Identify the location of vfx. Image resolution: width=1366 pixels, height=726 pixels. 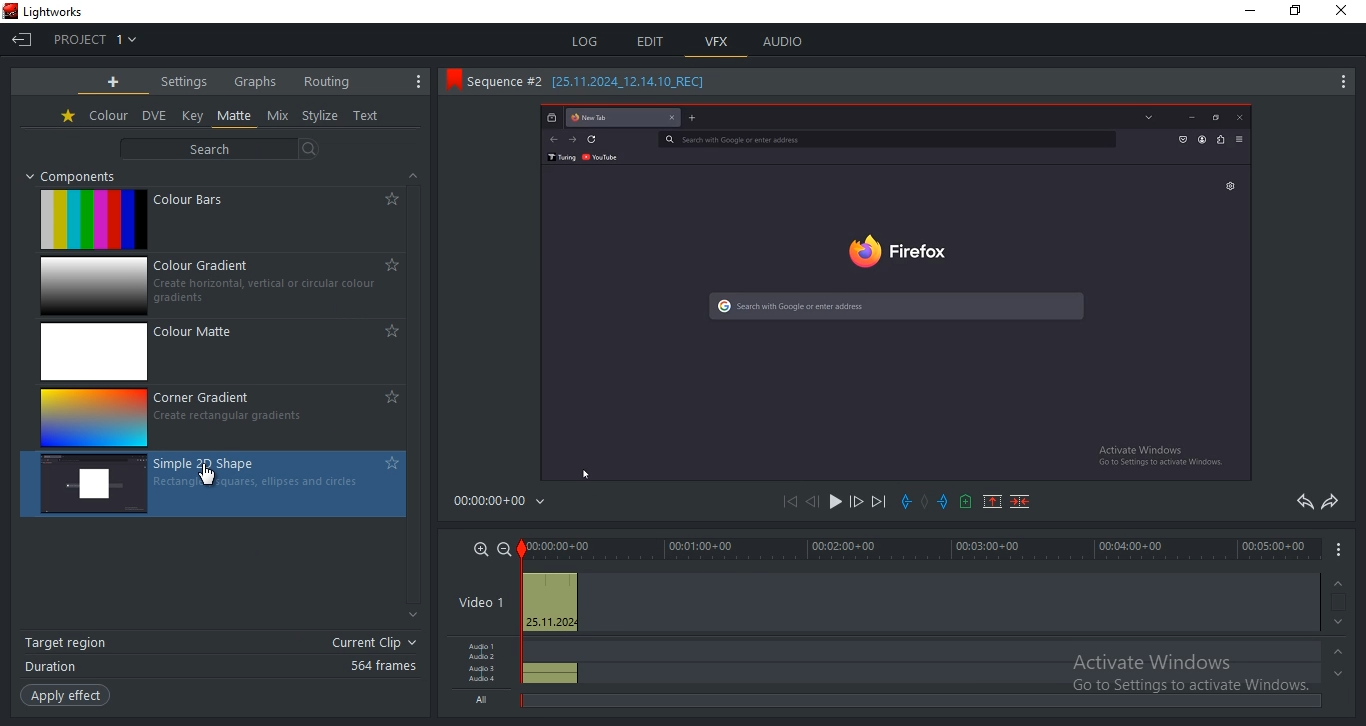
(717, 42).